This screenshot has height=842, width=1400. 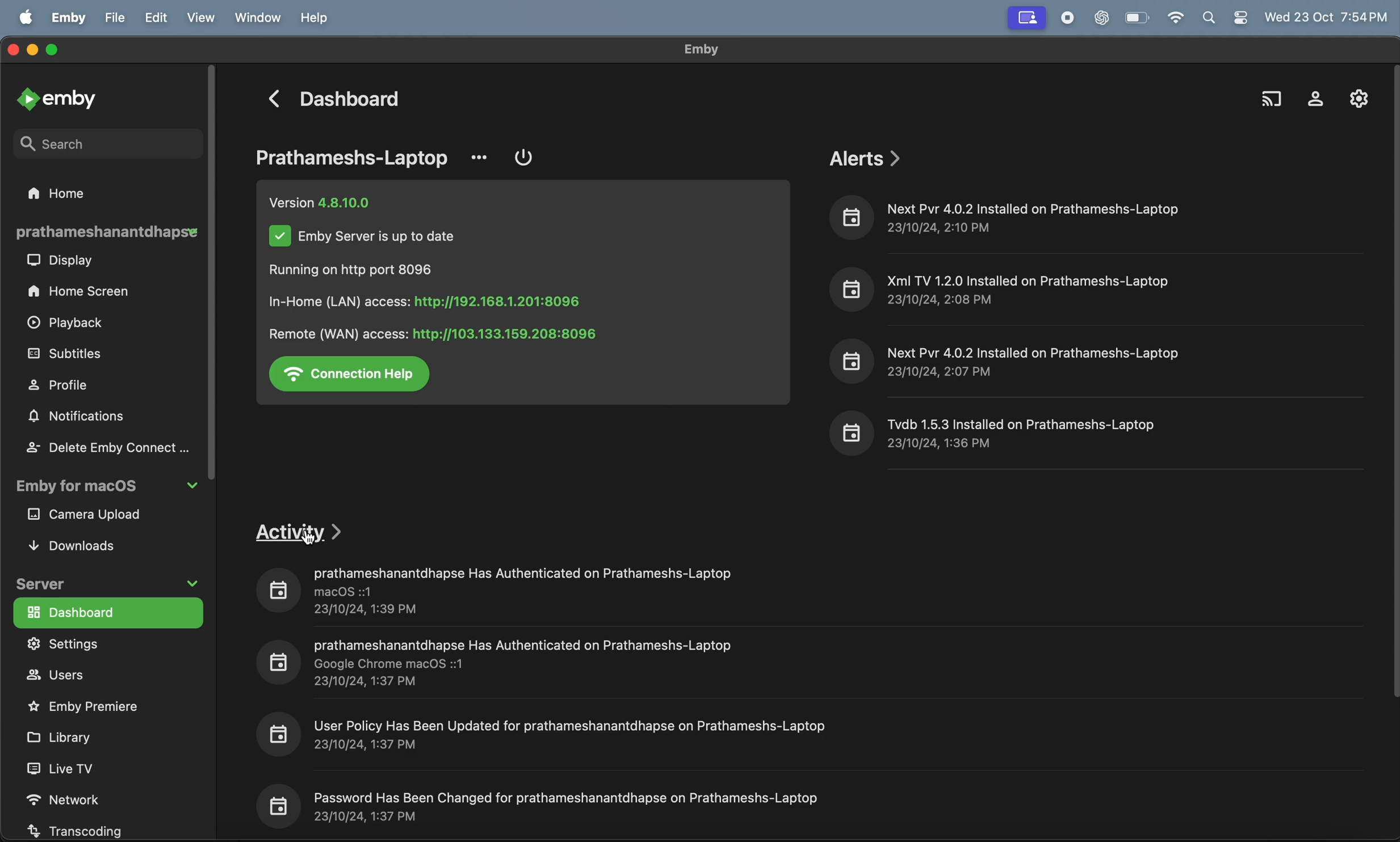 I want to click on home, so click(x=76, y=192).